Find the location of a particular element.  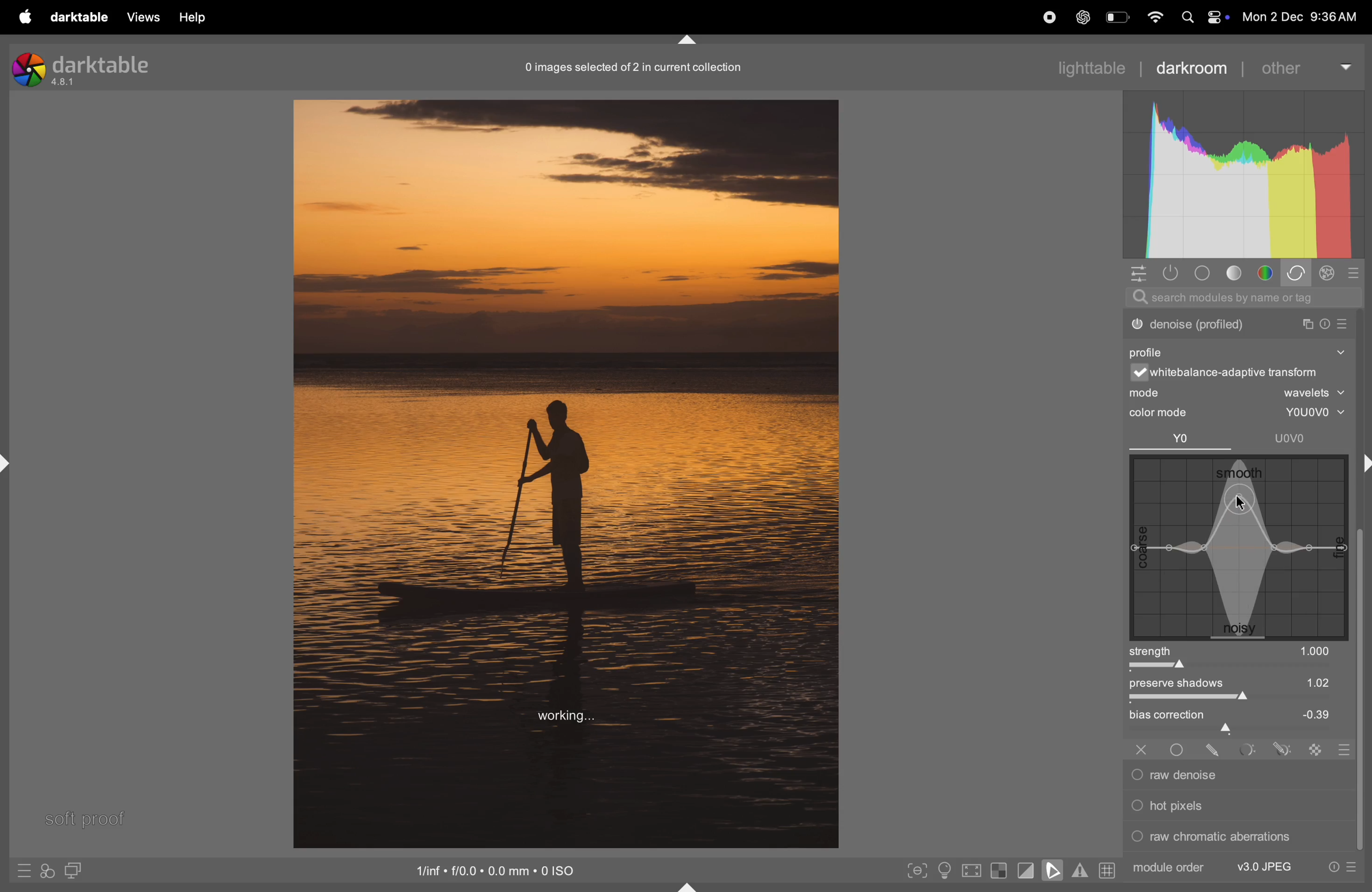

date and time is located at coordinates (1304, 17).